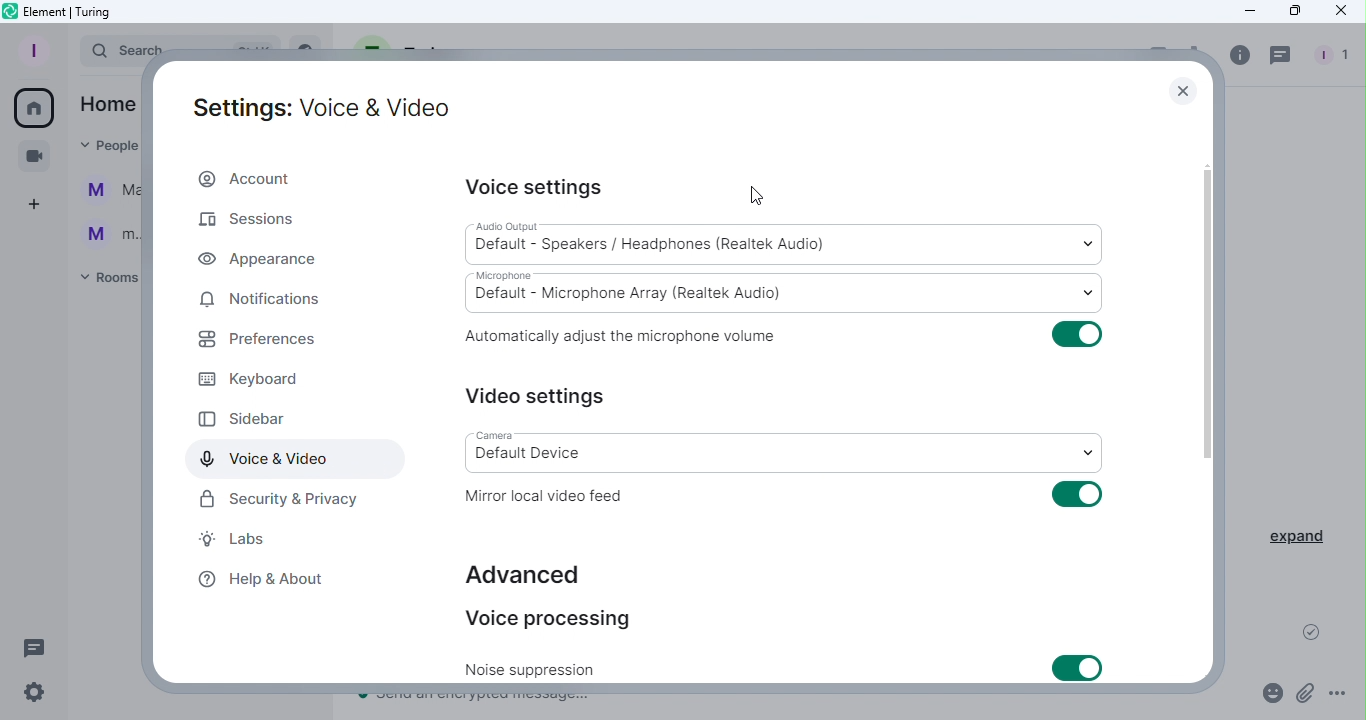  Describe the element at coordinates (1294, 537) in the screenshot. I see `Expand` at that location.